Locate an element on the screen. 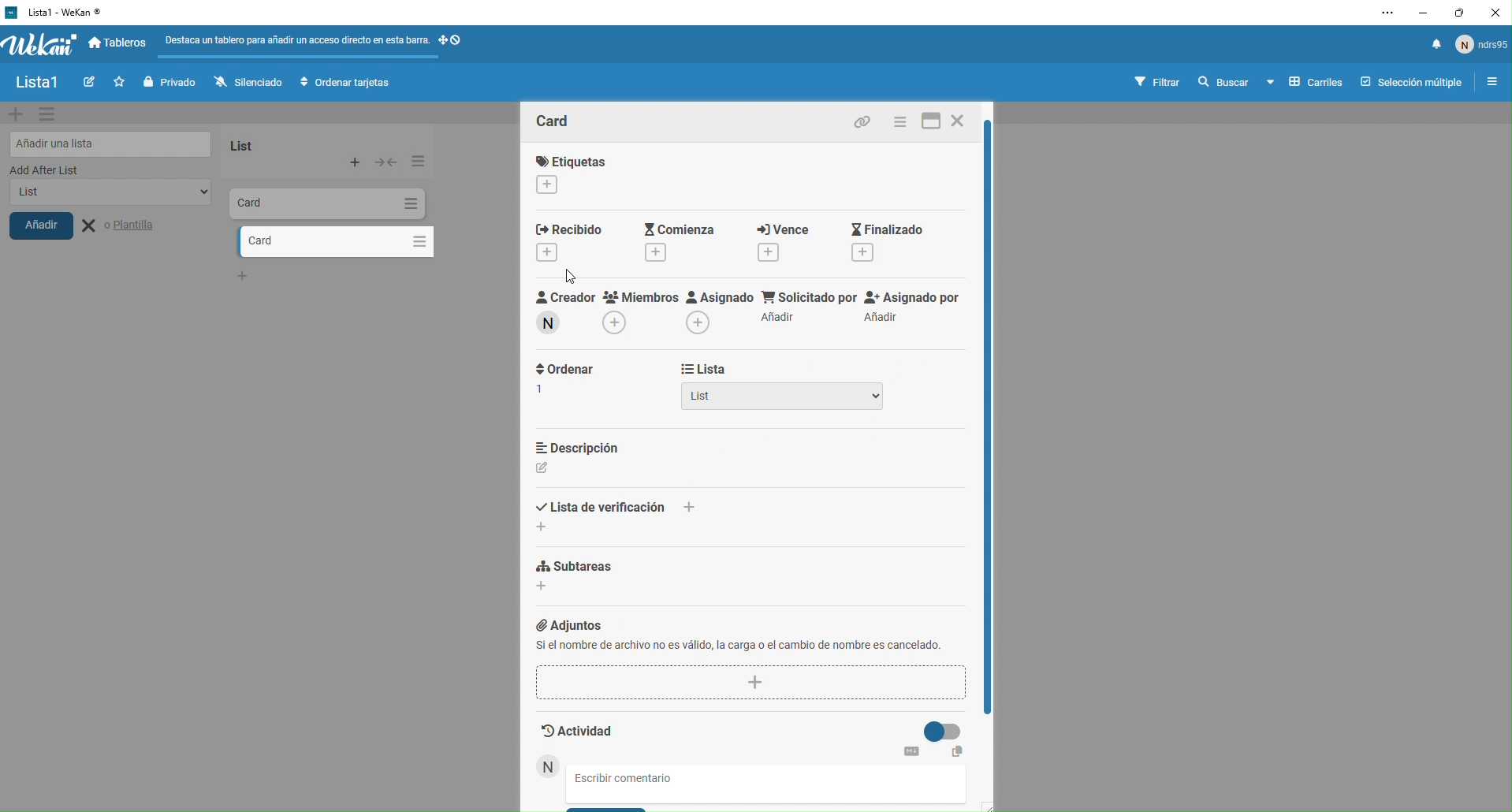 This screenshot has width=1512, height=812. settings is located at coordinates (1380, 14).